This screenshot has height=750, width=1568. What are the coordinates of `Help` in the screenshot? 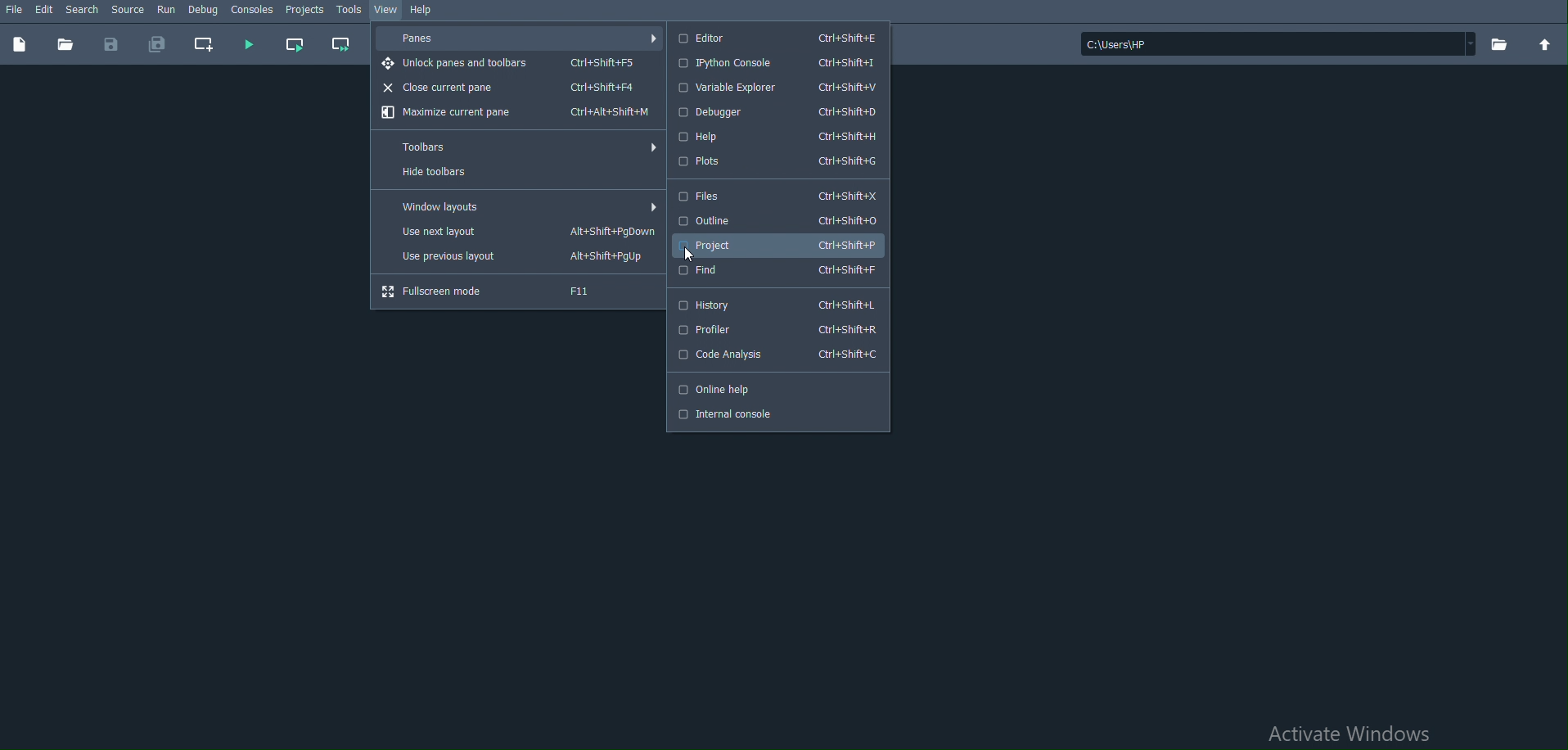 It's located at (776, 136).